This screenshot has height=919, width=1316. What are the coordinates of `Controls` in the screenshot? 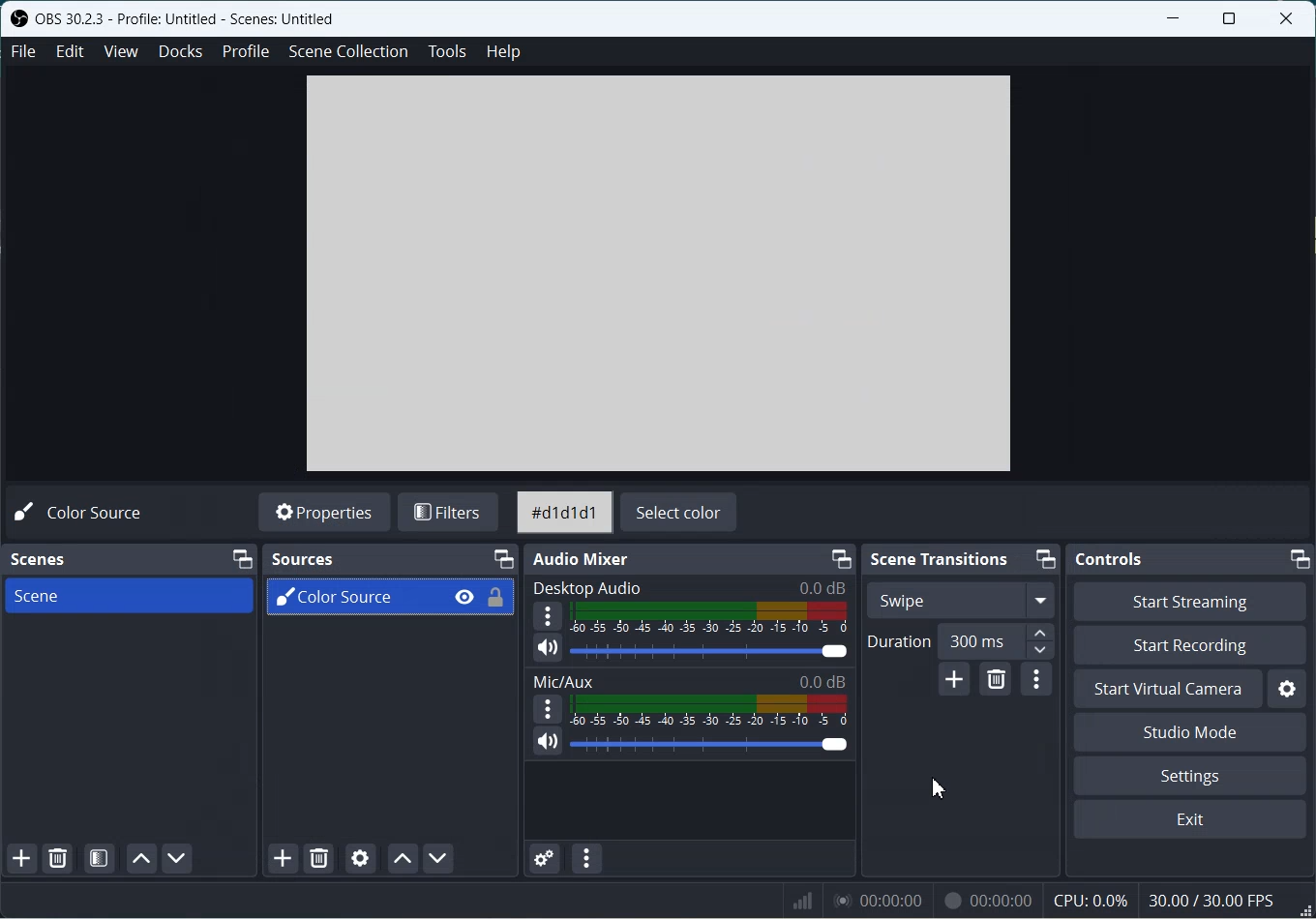 It's located at (1111, 559).